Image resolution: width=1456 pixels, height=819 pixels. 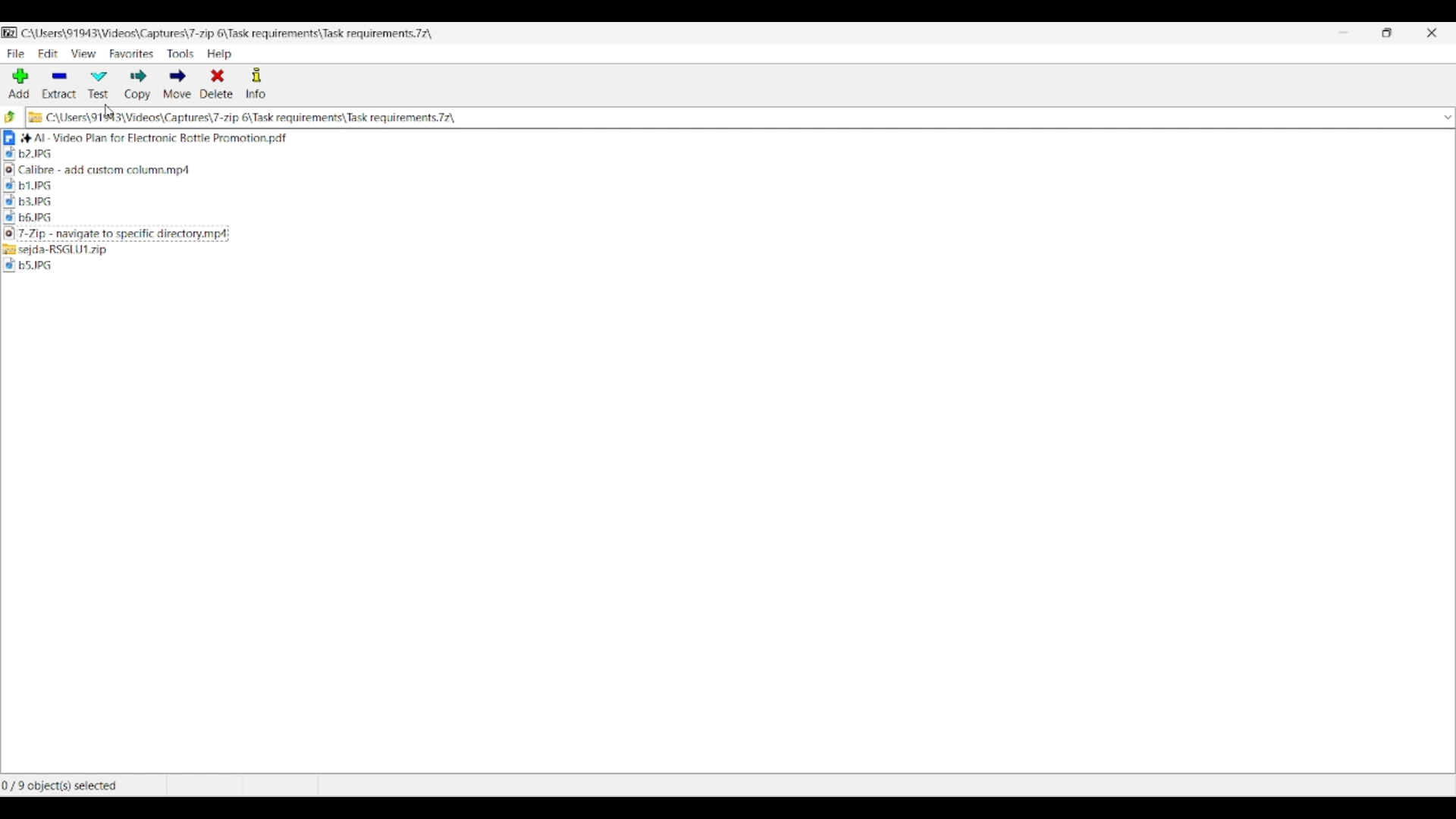 I want to click on Show interface in a smaller tab, so click(x=1387, y=33).